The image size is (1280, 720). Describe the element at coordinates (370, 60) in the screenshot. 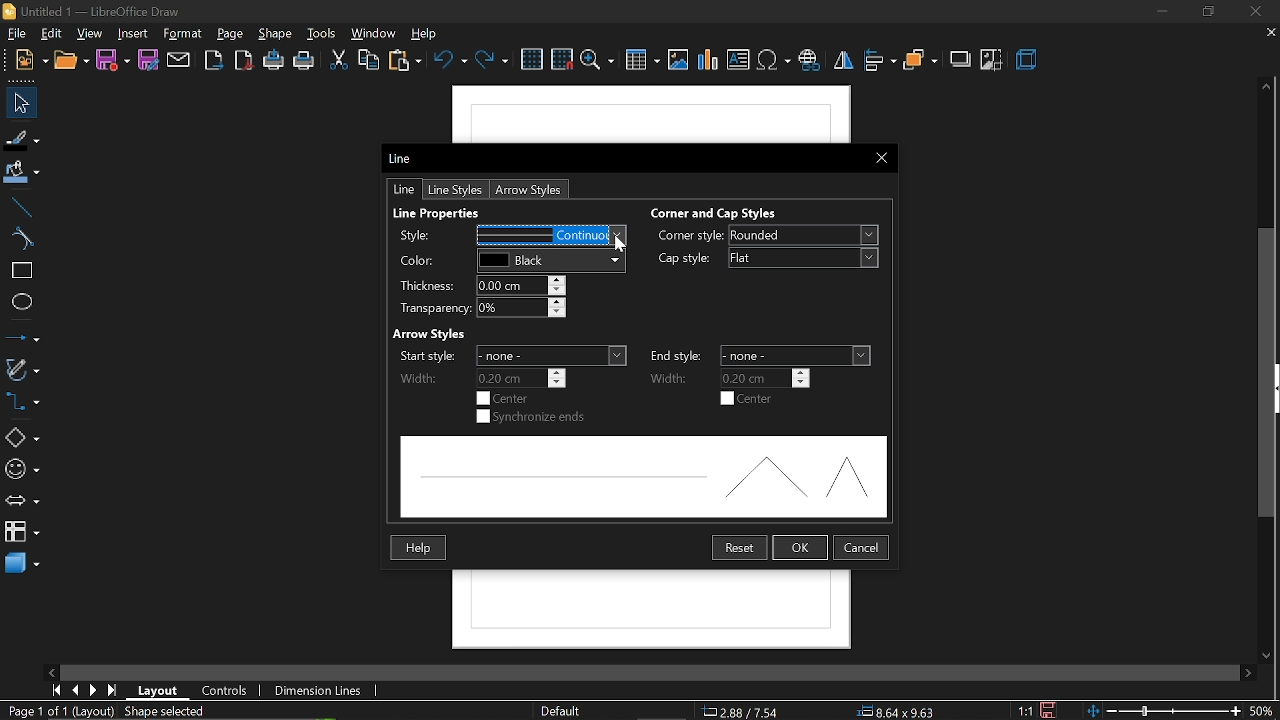

I see `copy` at that location.